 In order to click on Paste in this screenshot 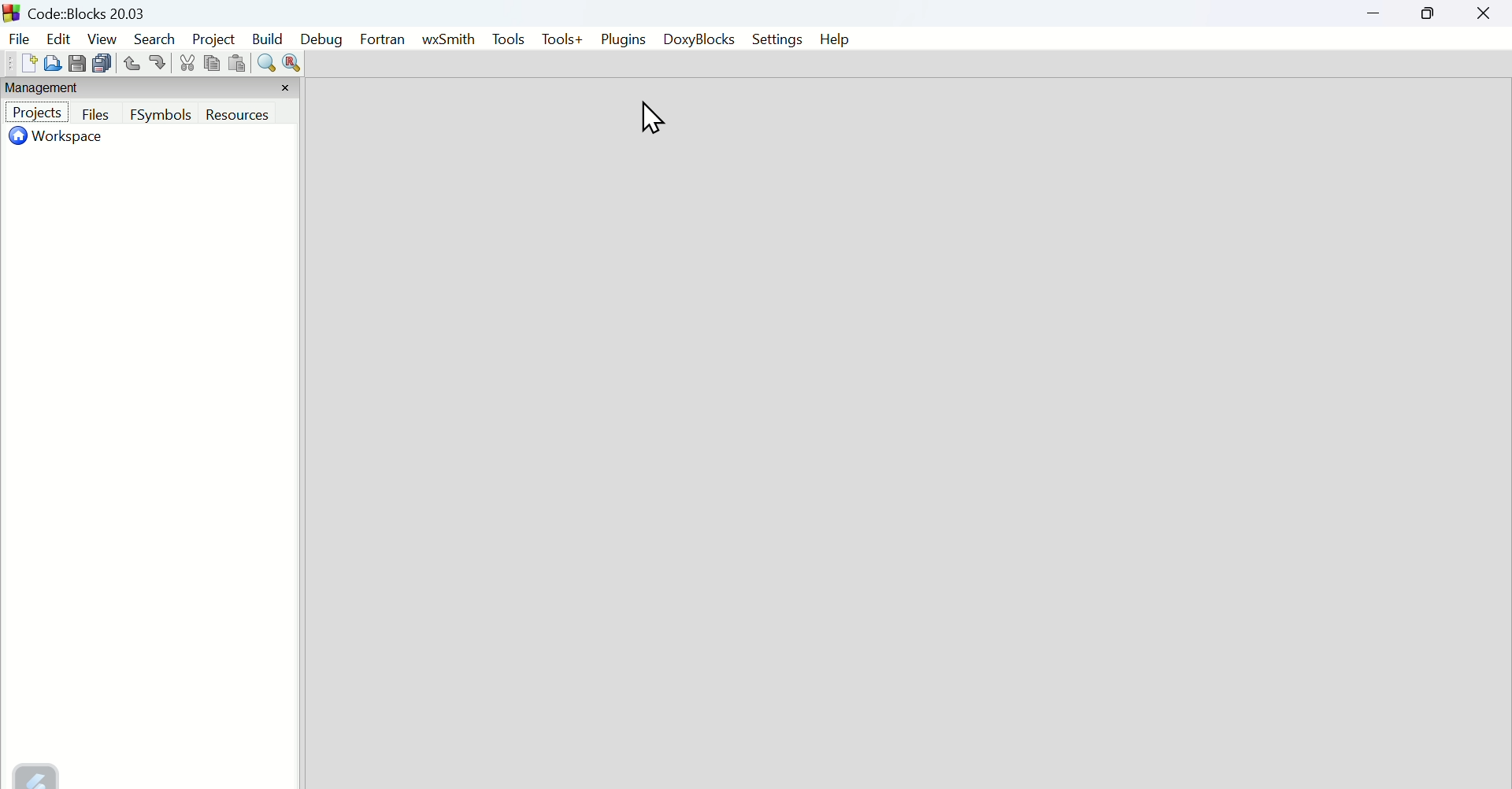, I will do `click(239, 63)`.